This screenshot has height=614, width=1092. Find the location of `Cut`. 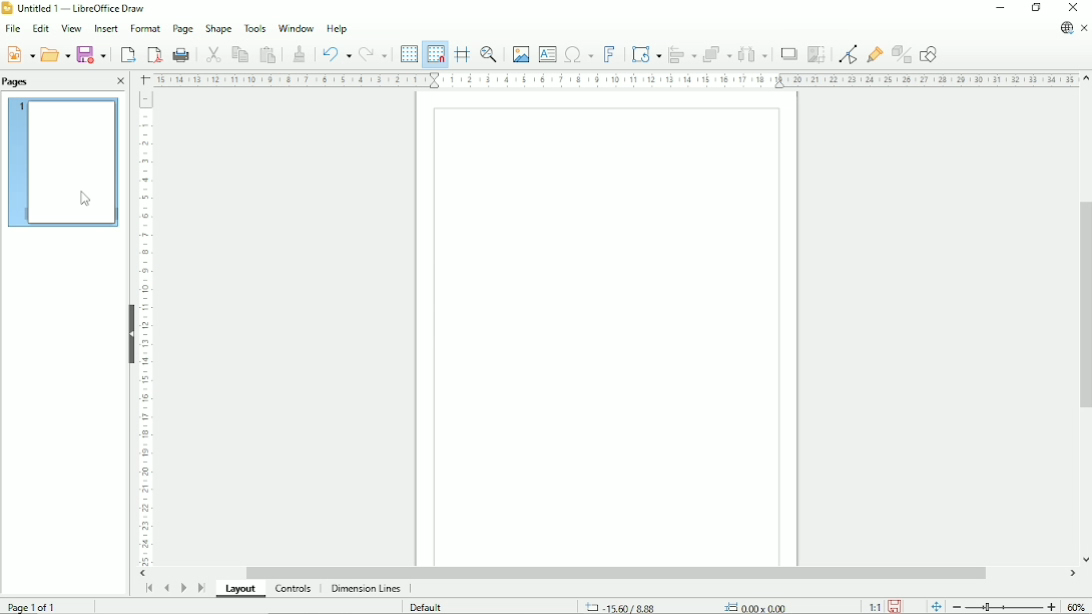

Cut is located at coordinates (212, 53).